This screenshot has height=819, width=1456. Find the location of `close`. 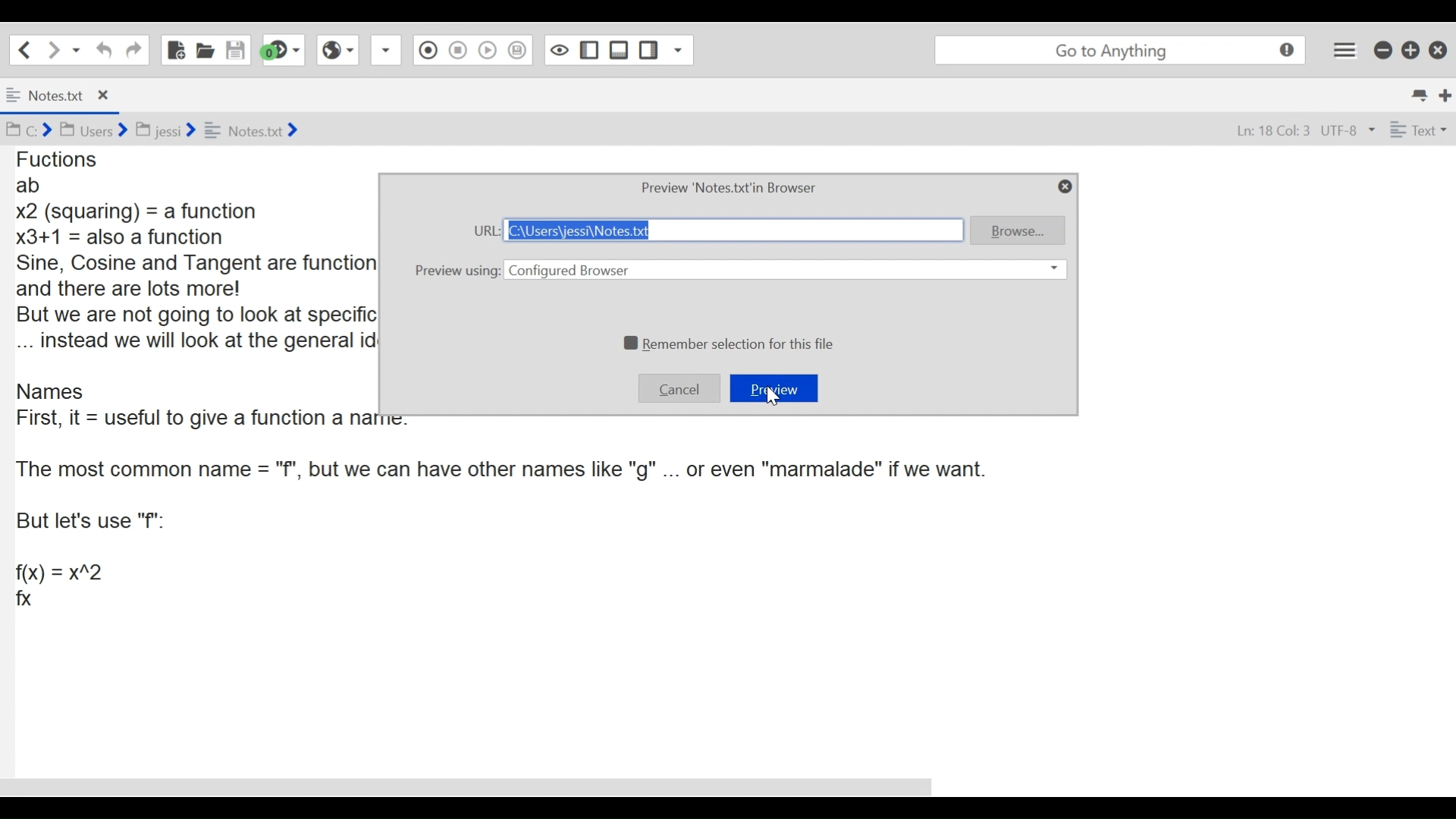

close is located at coordinates (1065, 187).